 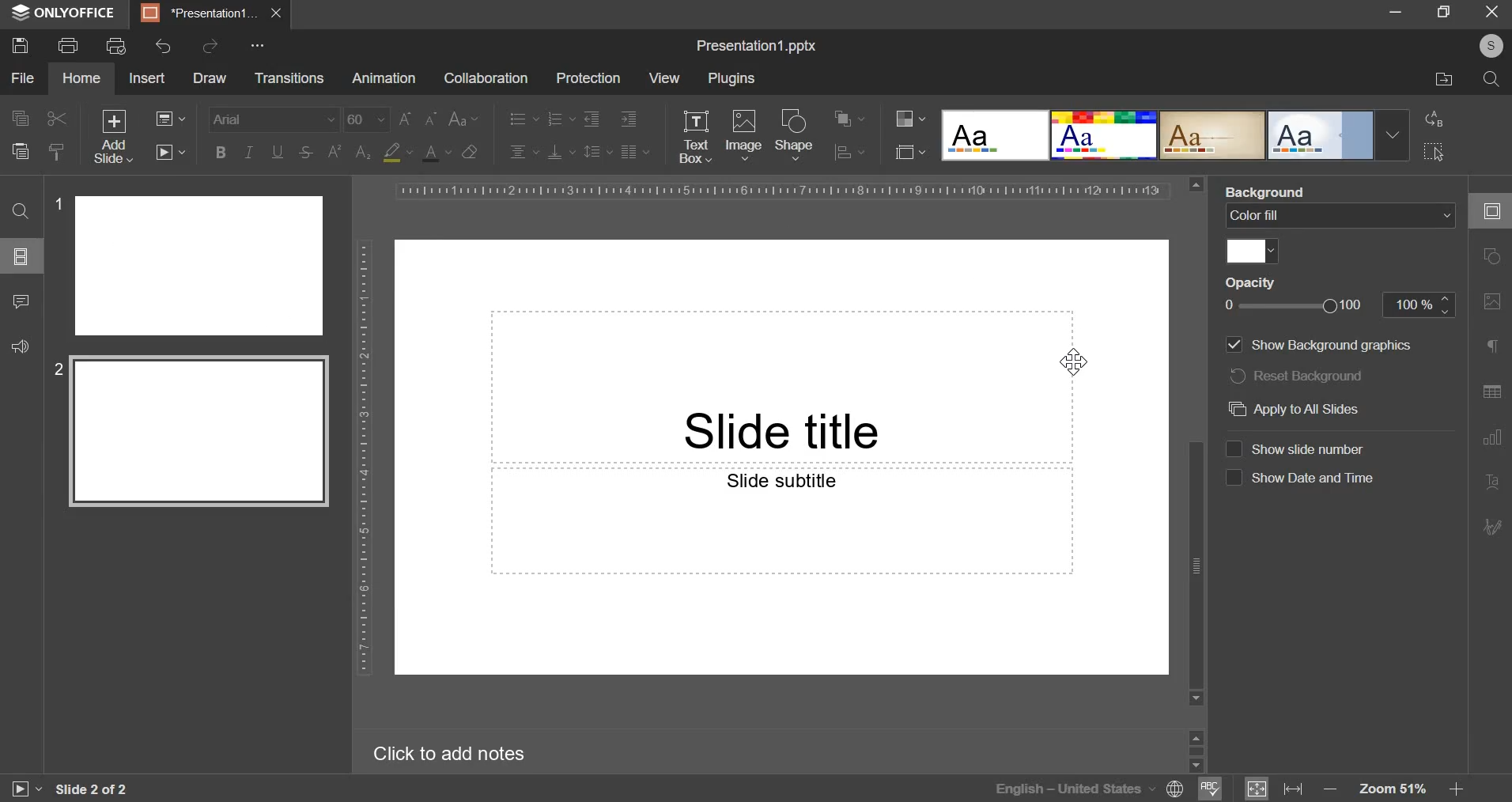 What do you see at coordinates (1268, 192) in the screenshot?
I see `background` at bounding box center [1268, 192].